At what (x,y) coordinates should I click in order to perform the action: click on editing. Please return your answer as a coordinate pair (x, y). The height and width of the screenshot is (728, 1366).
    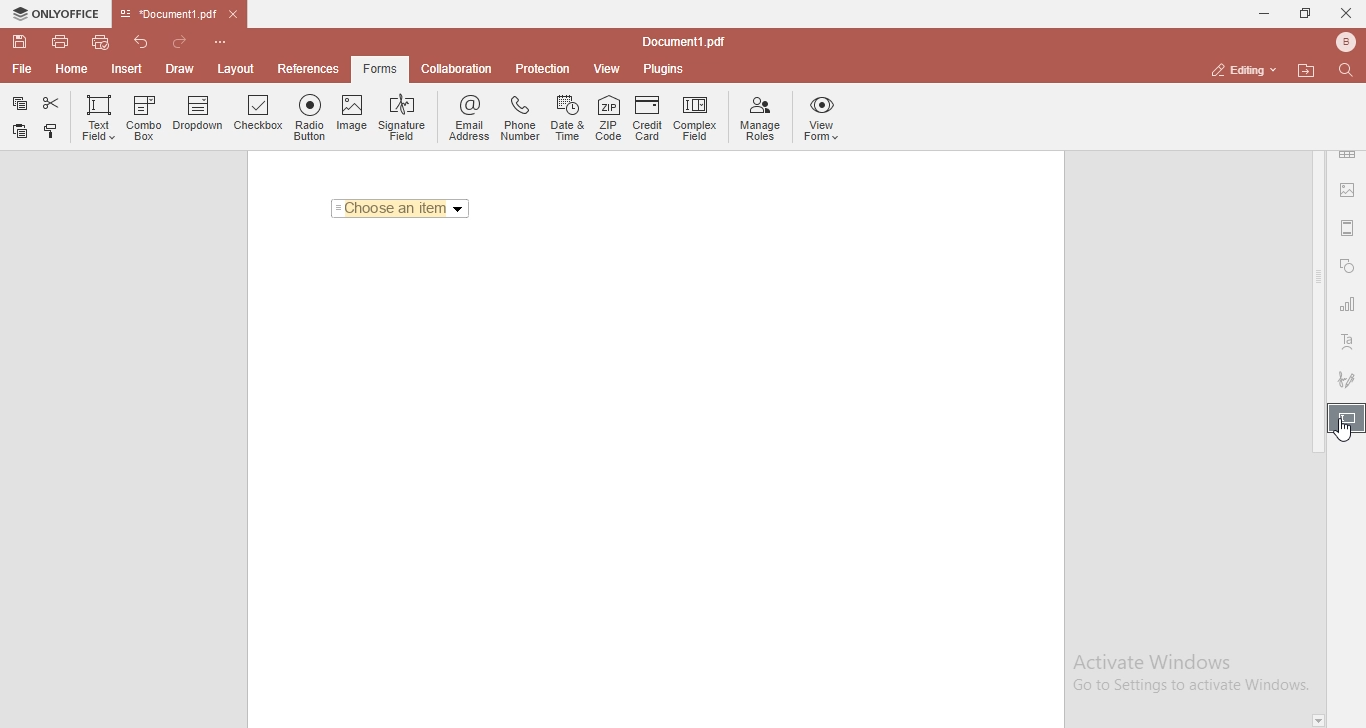
    Looking at the image, I should click on (1241, 69).